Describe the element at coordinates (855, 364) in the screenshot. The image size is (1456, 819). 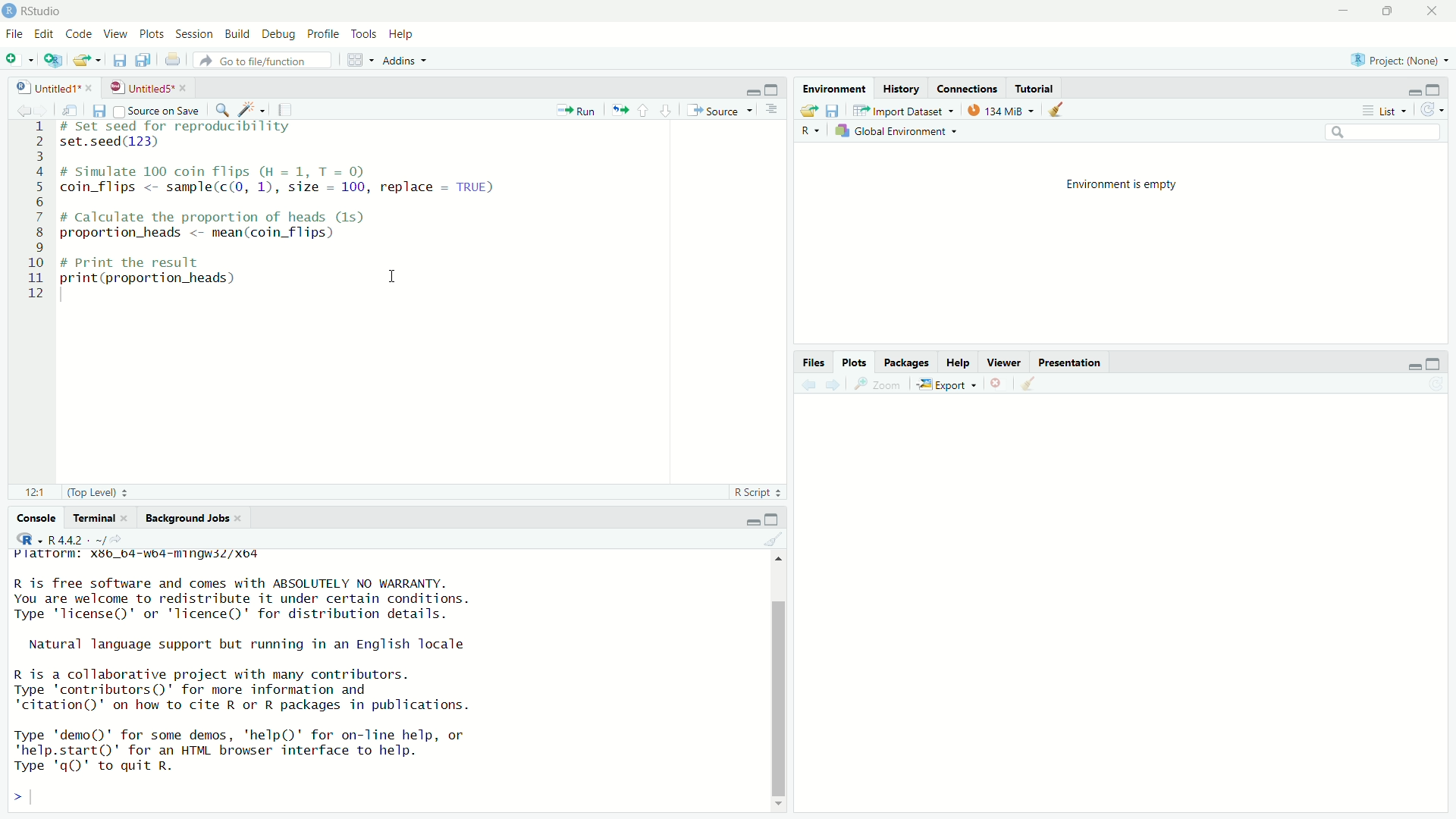
I see `Plots` at that location.